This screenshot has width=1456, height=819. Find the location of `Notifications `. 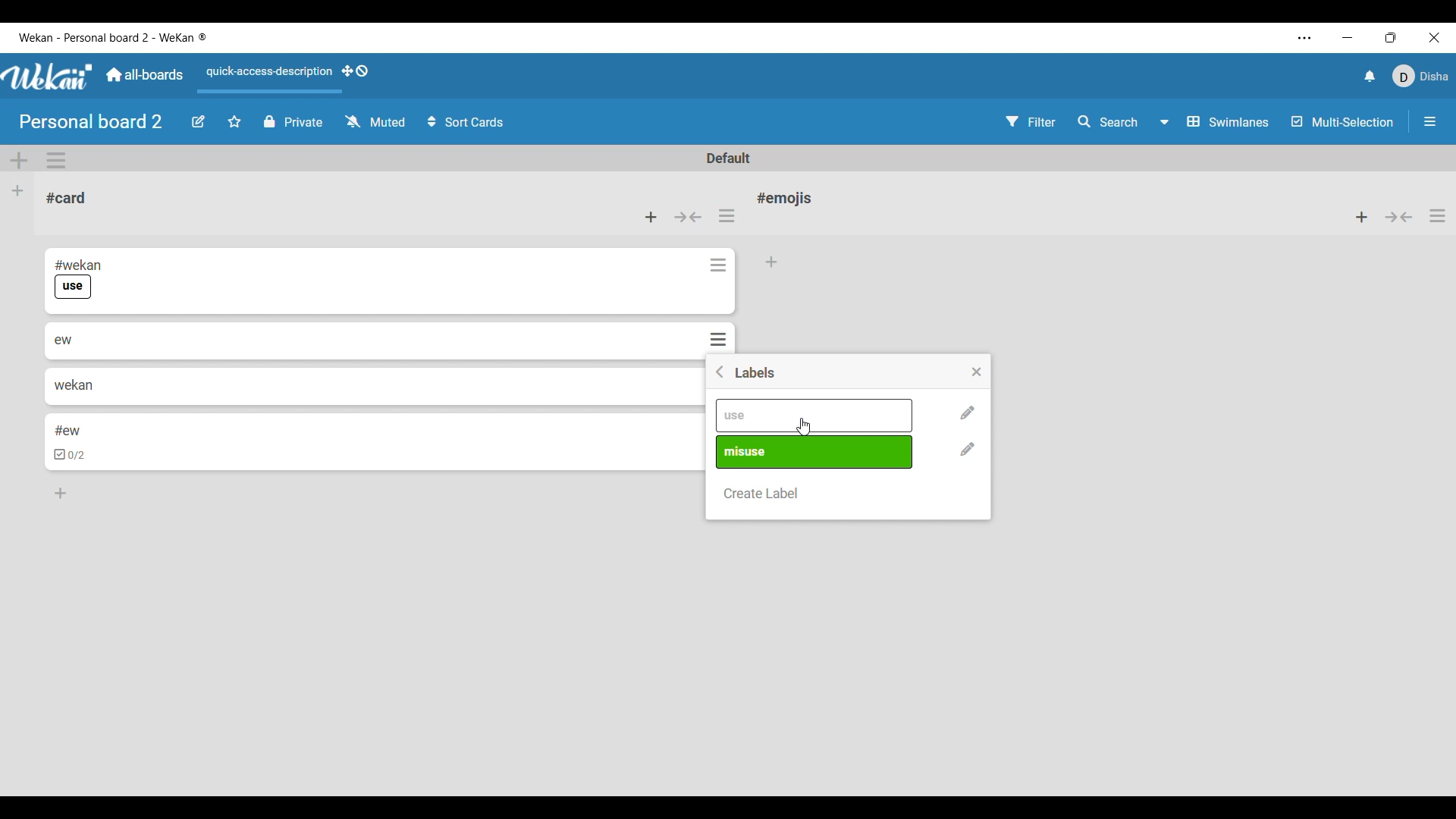

Notifications  is located at coordinates (1370, 77).